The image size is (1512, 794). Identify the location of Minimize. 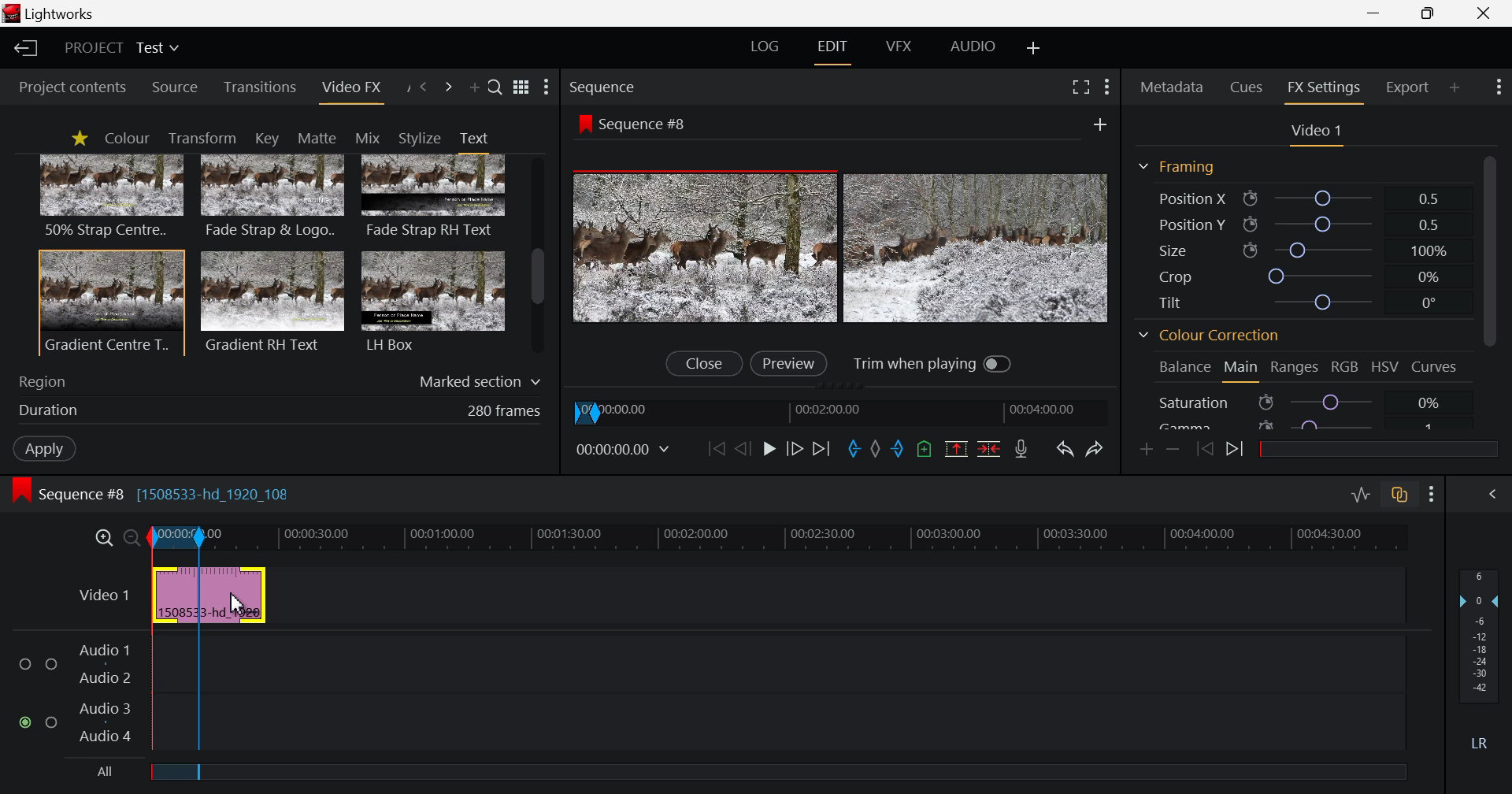
(1432, 14).